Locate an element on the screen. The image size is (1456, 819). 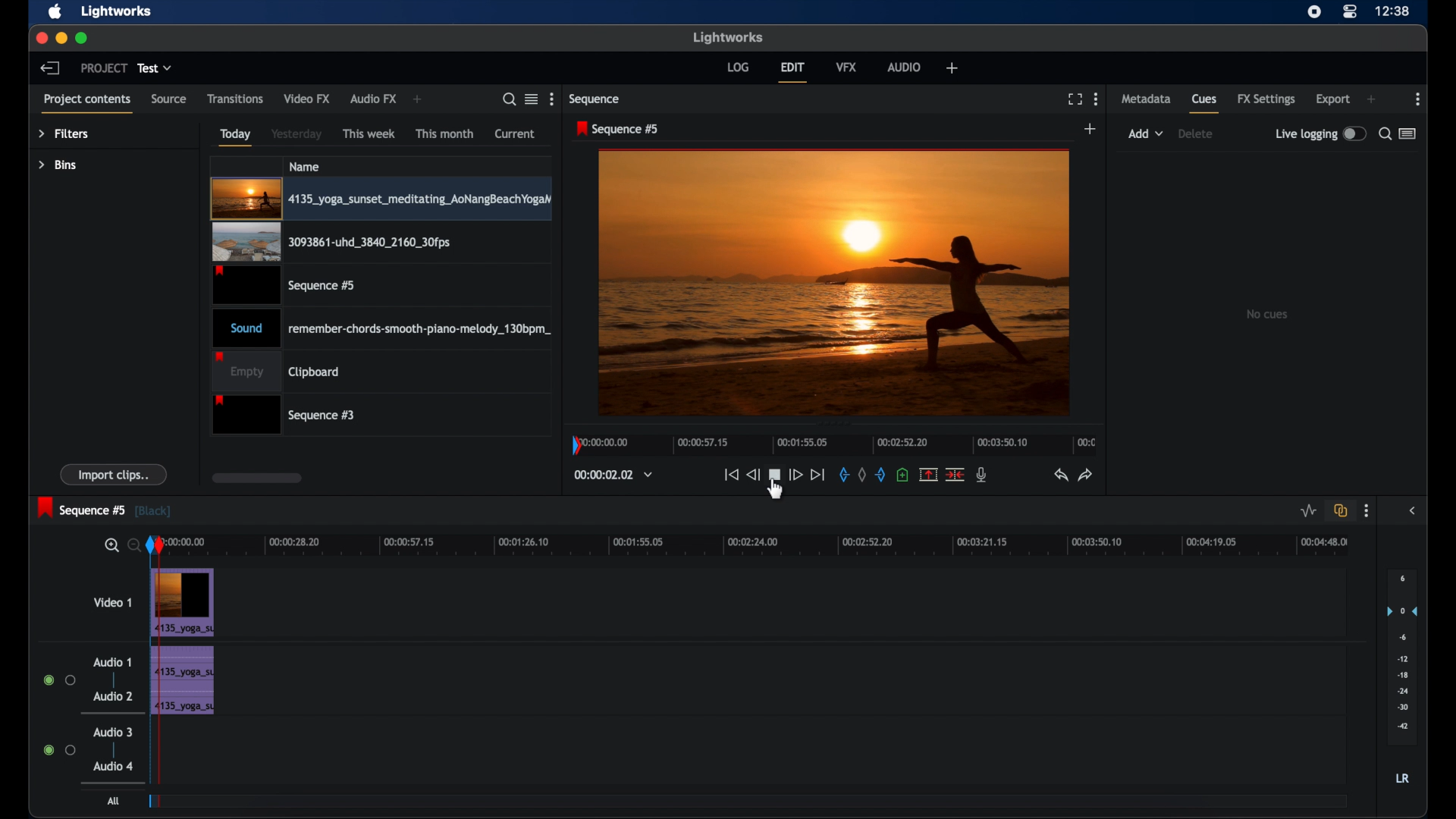
import clips is located at coordinates (113, 475).